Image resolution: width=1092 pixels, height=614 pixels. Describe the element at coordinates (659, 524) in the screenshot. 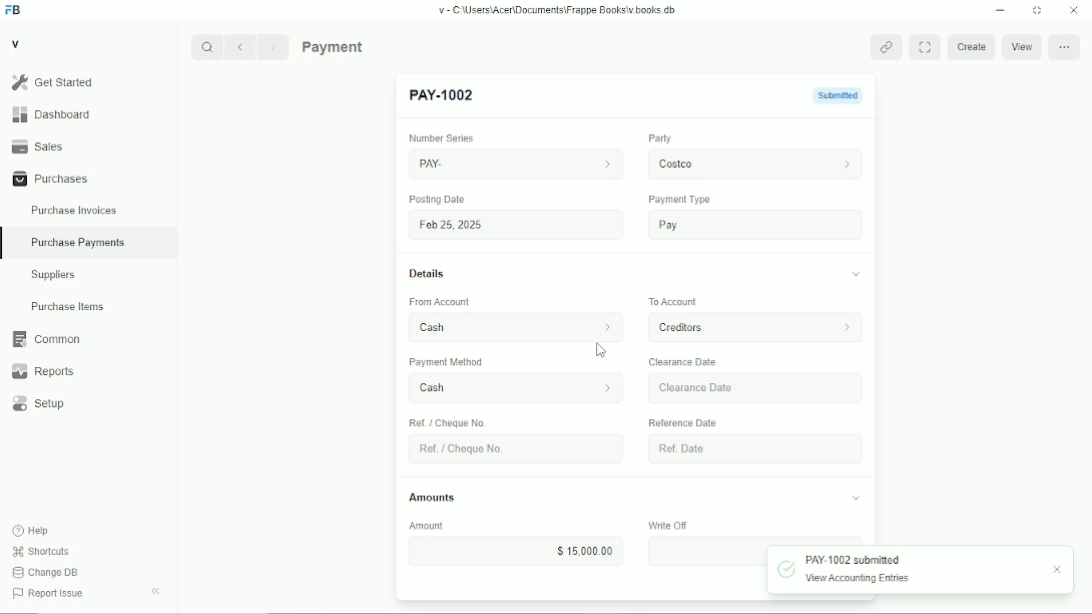

I see `Write OF` at that location.